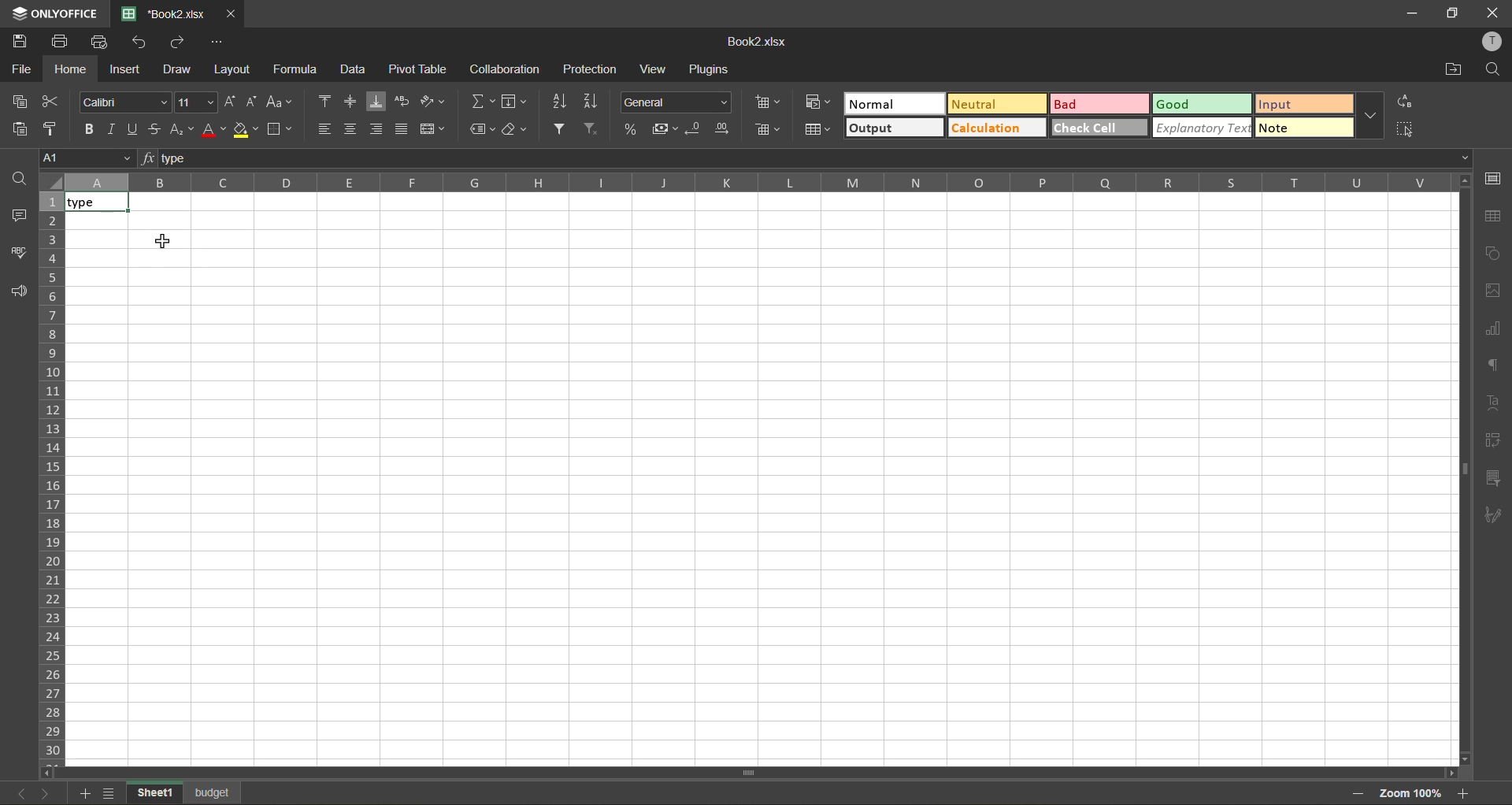 The height and width of the screenshot is (805, 1512). Describe the element at coordinates (230, 71) in the screenshot. I see `layout` at that location.